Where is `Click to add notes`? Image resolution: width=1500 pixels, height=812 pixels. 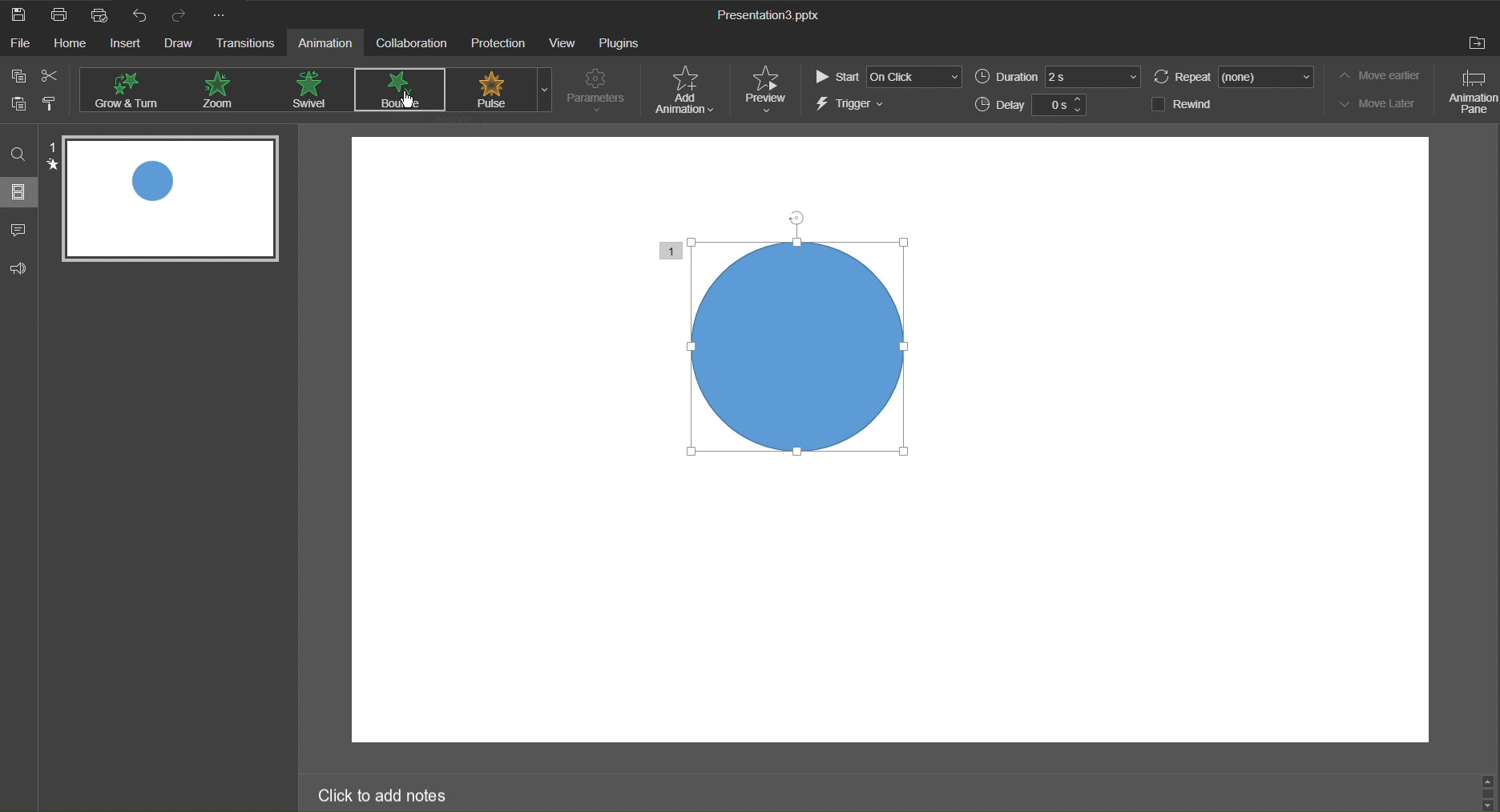 Click to add notes is located at coordinates (381, 792).